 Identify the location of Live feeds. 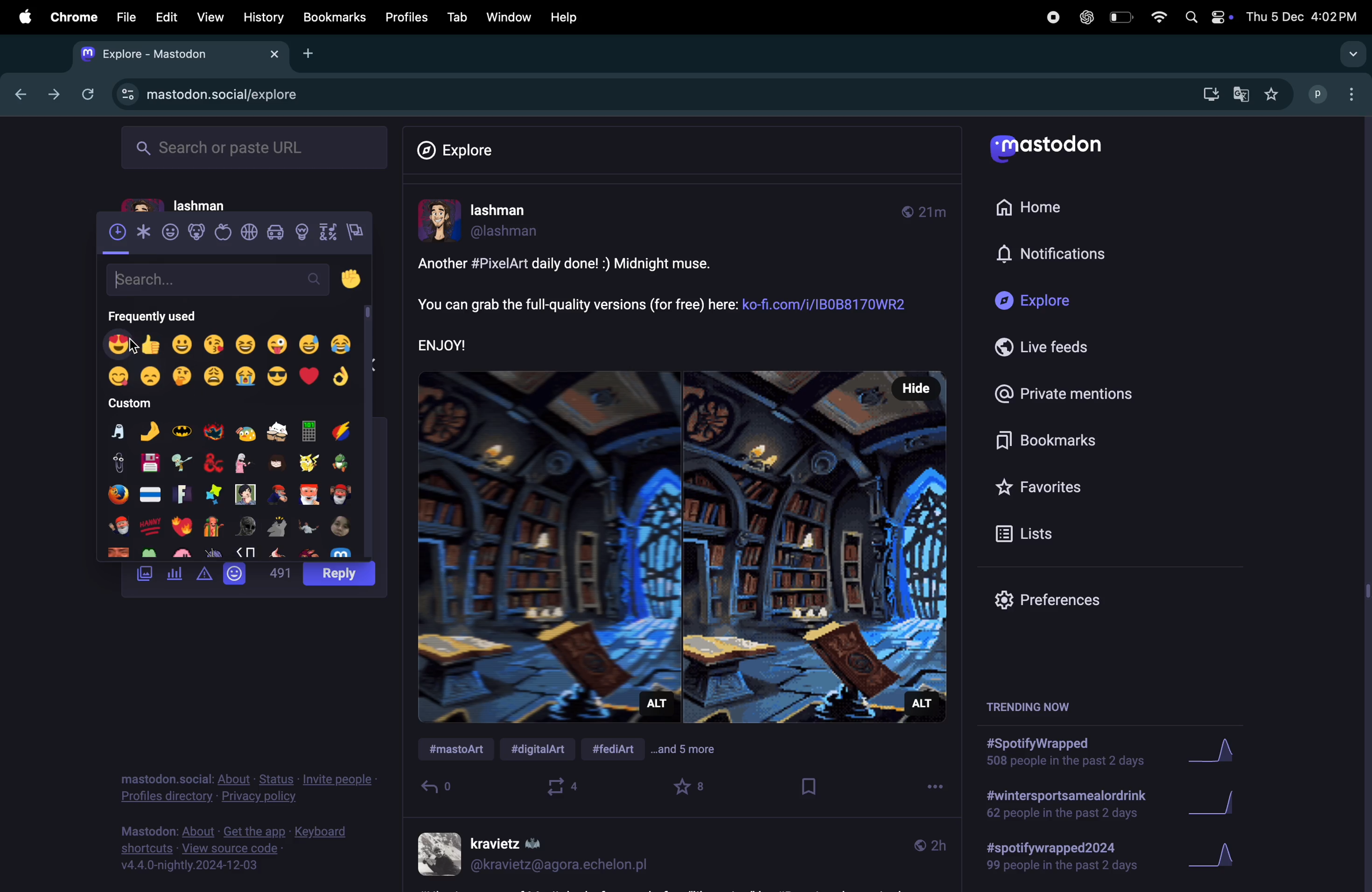
(1062, 347).